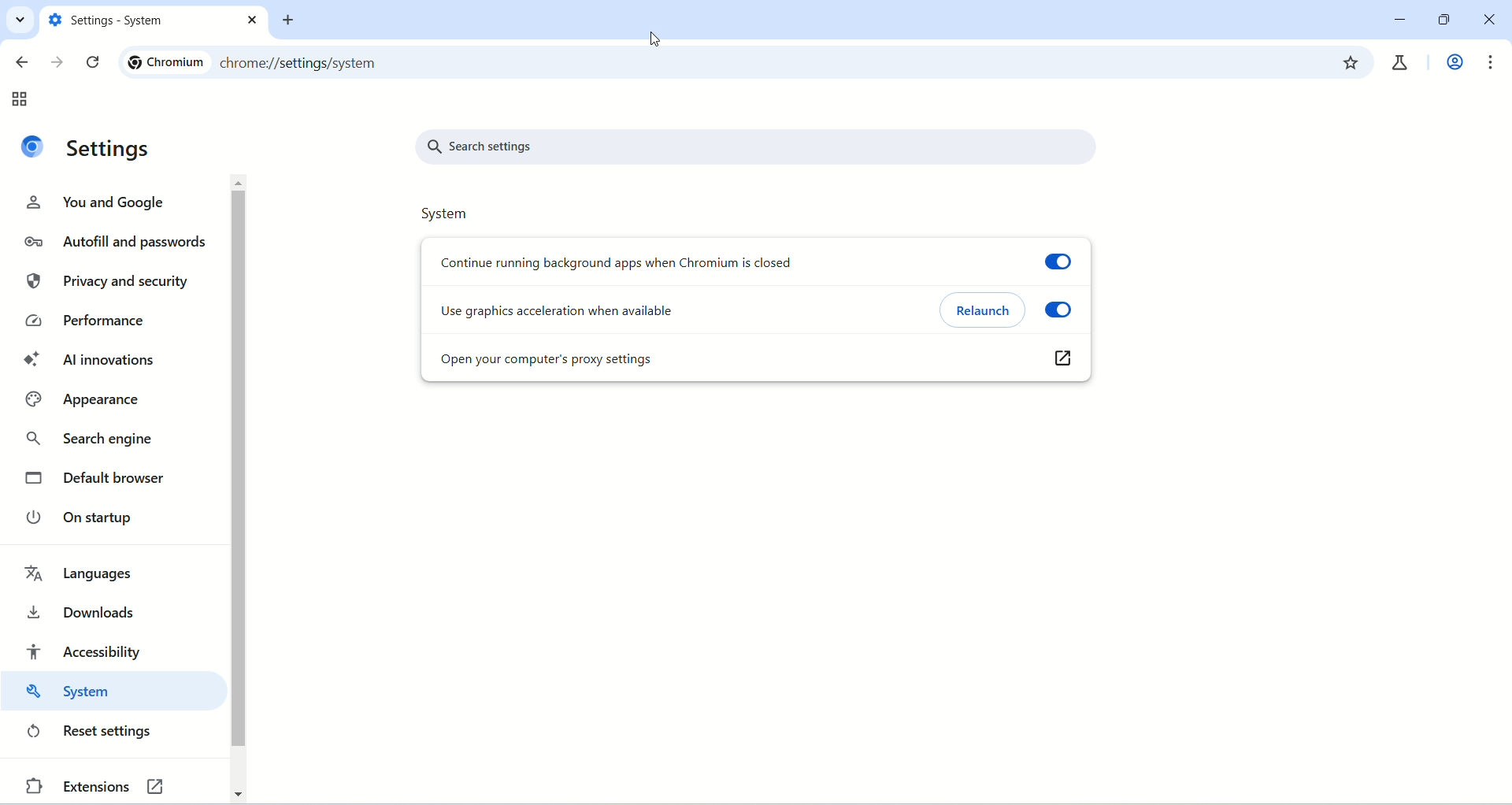 The width and height of the screenshot is (1512, 805). What do you see at coordinates (724, 361) in the screenshot?
I see `open your computer's proxy settings` at bounding box center [724, 361].